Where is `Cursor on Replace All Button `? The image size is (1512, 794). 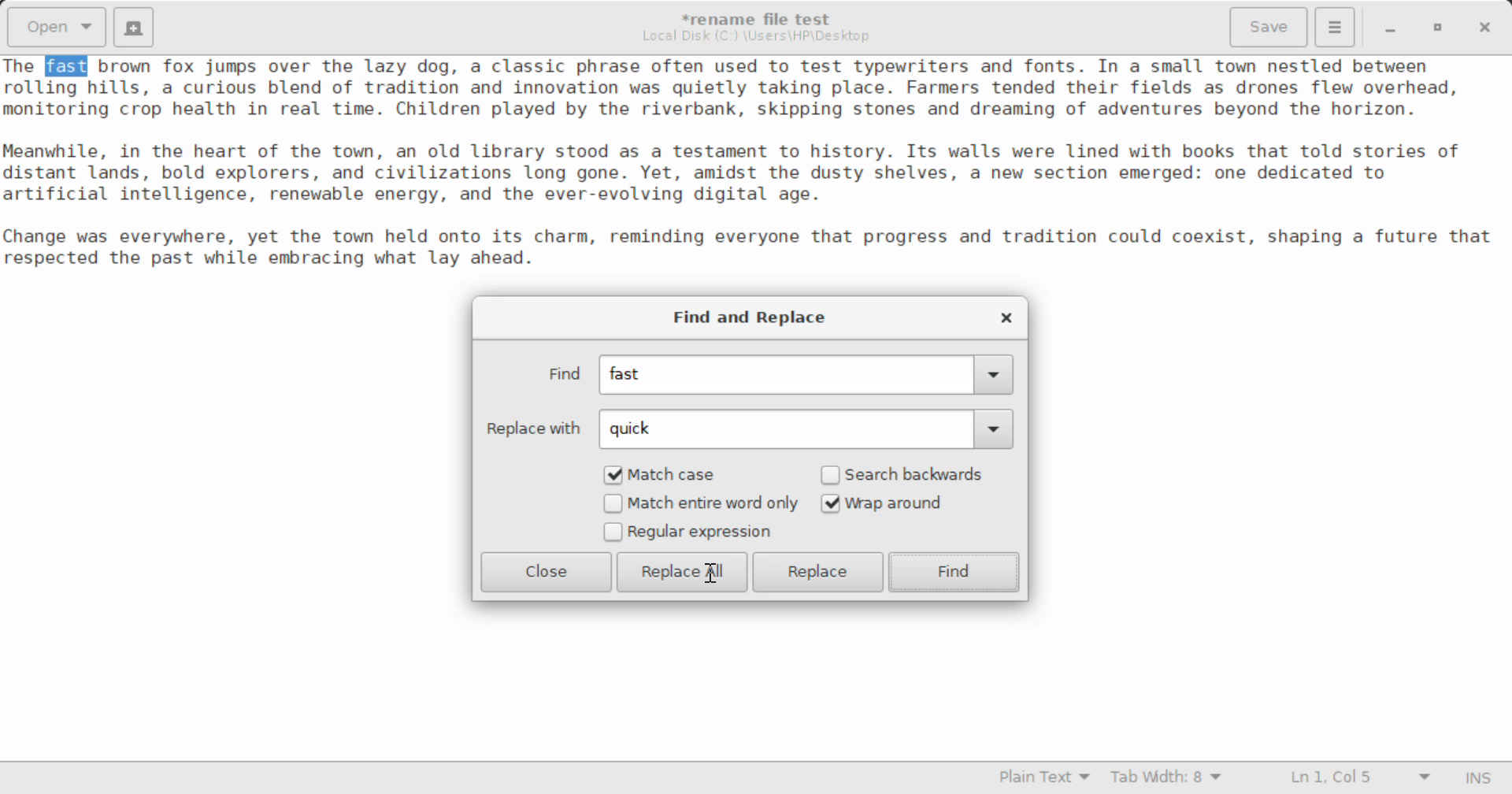 Cursor on Replace All Button  is located at coordinates (712, 571).